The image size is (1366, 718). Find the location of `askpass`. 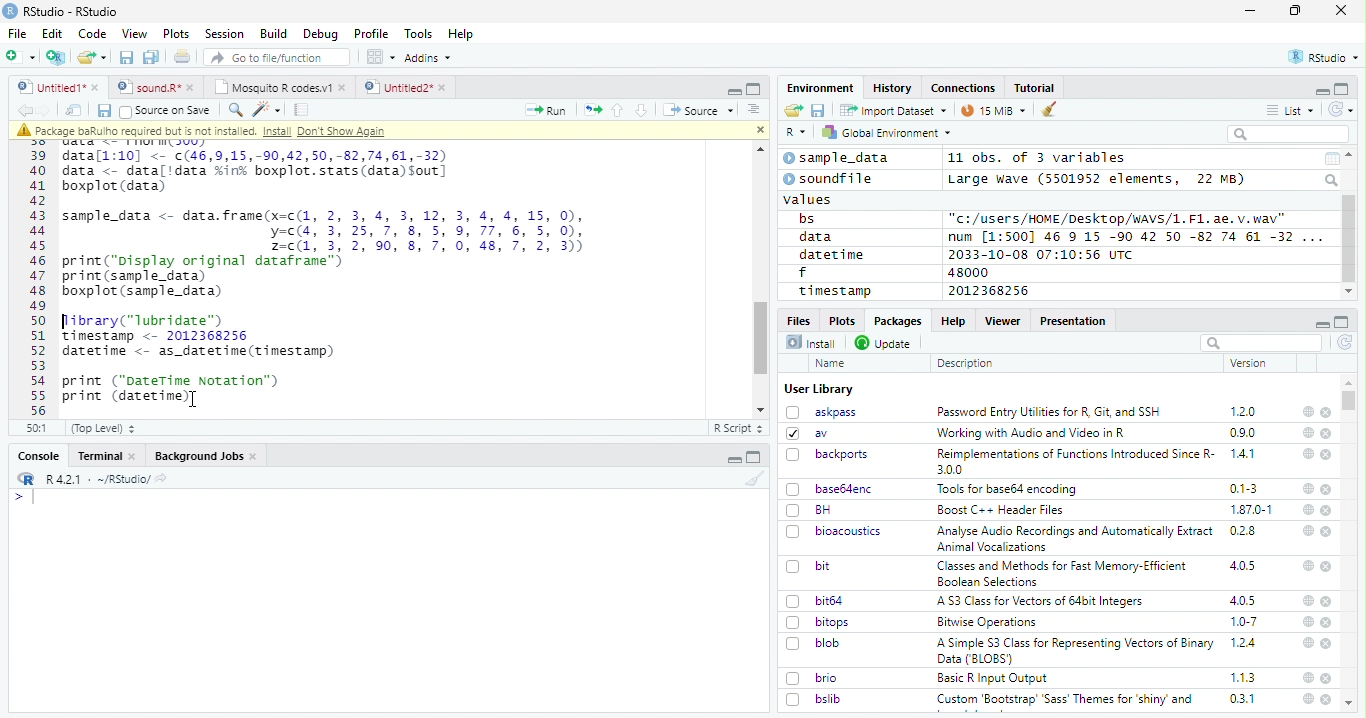

askpass is located at coordinates (820, 412).